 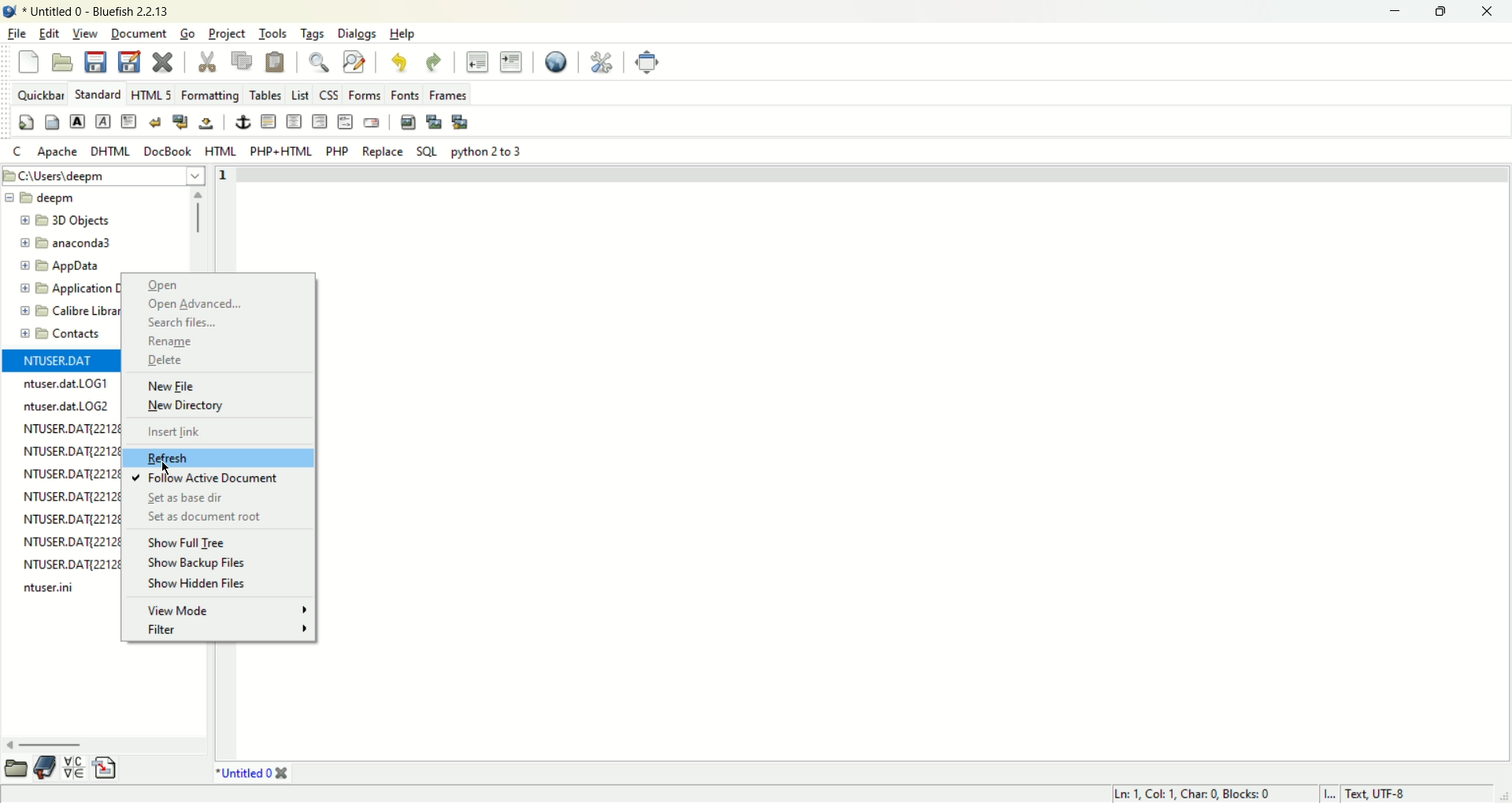 What do you see at coordinates (220, 610) in the screenshot?
I see `view mode` at bounding box center [220, 610].